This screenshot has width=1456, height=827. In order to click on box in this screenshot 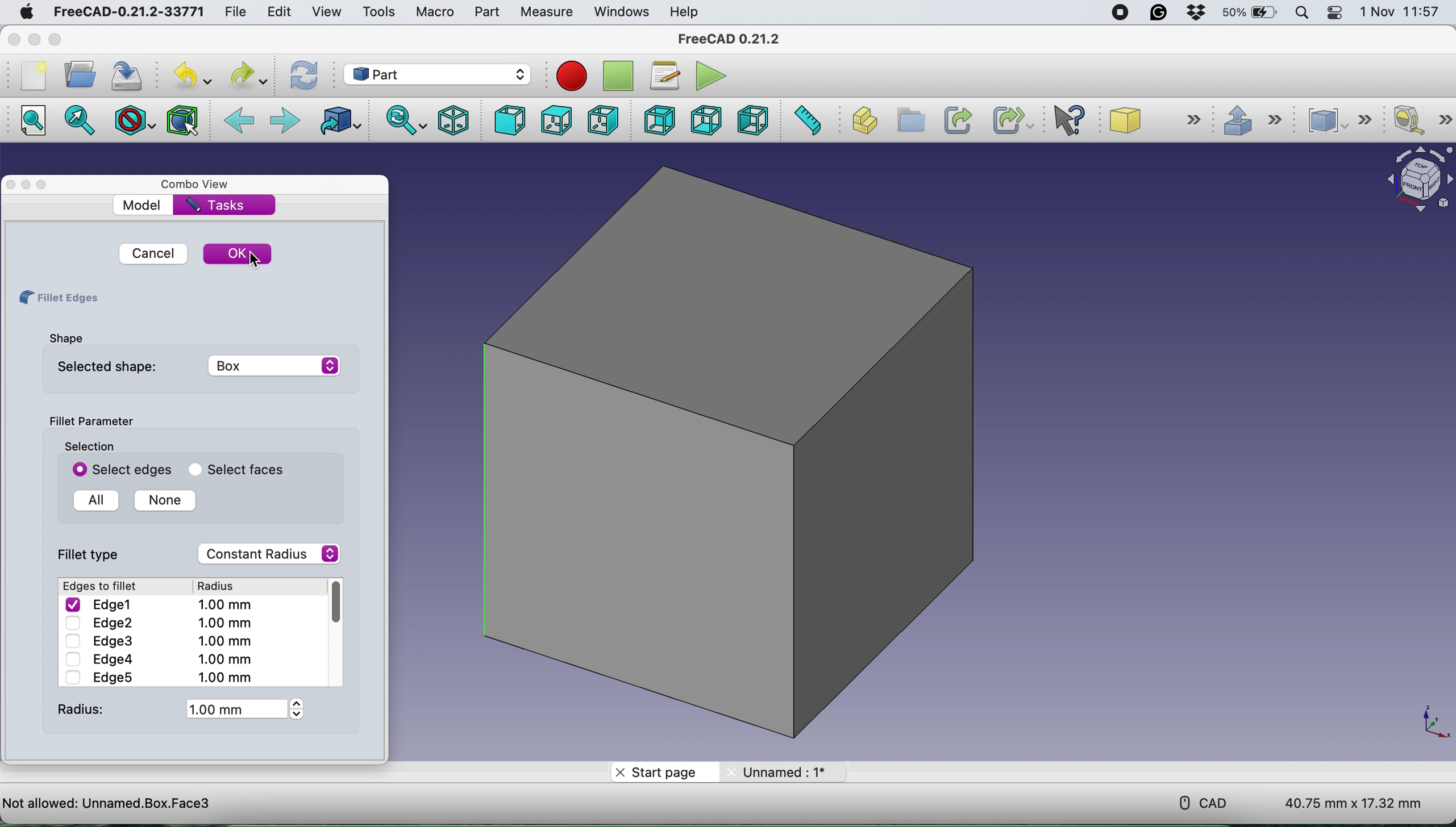, I will do `click(730, 450)`.